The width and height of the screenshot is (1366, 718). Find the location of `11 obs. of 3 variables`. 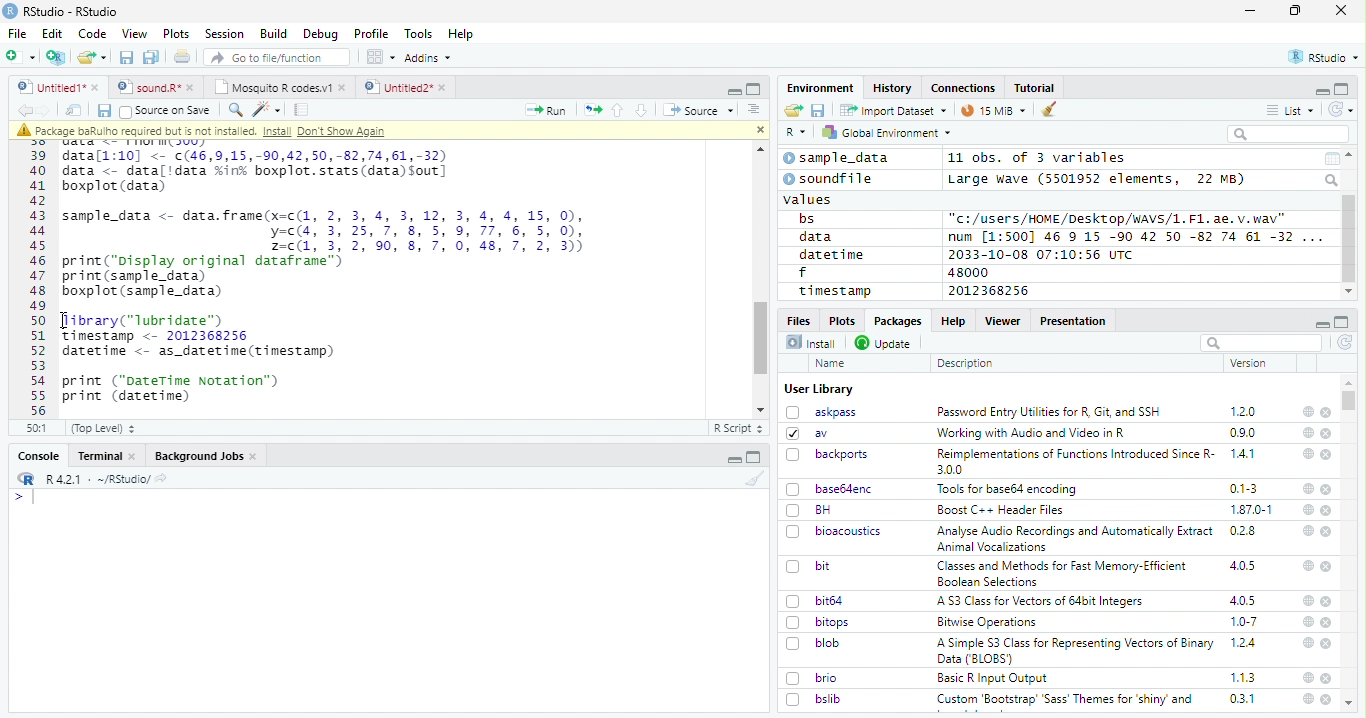

11 obs. of 3 variables is located at coordinates (1038, 159).